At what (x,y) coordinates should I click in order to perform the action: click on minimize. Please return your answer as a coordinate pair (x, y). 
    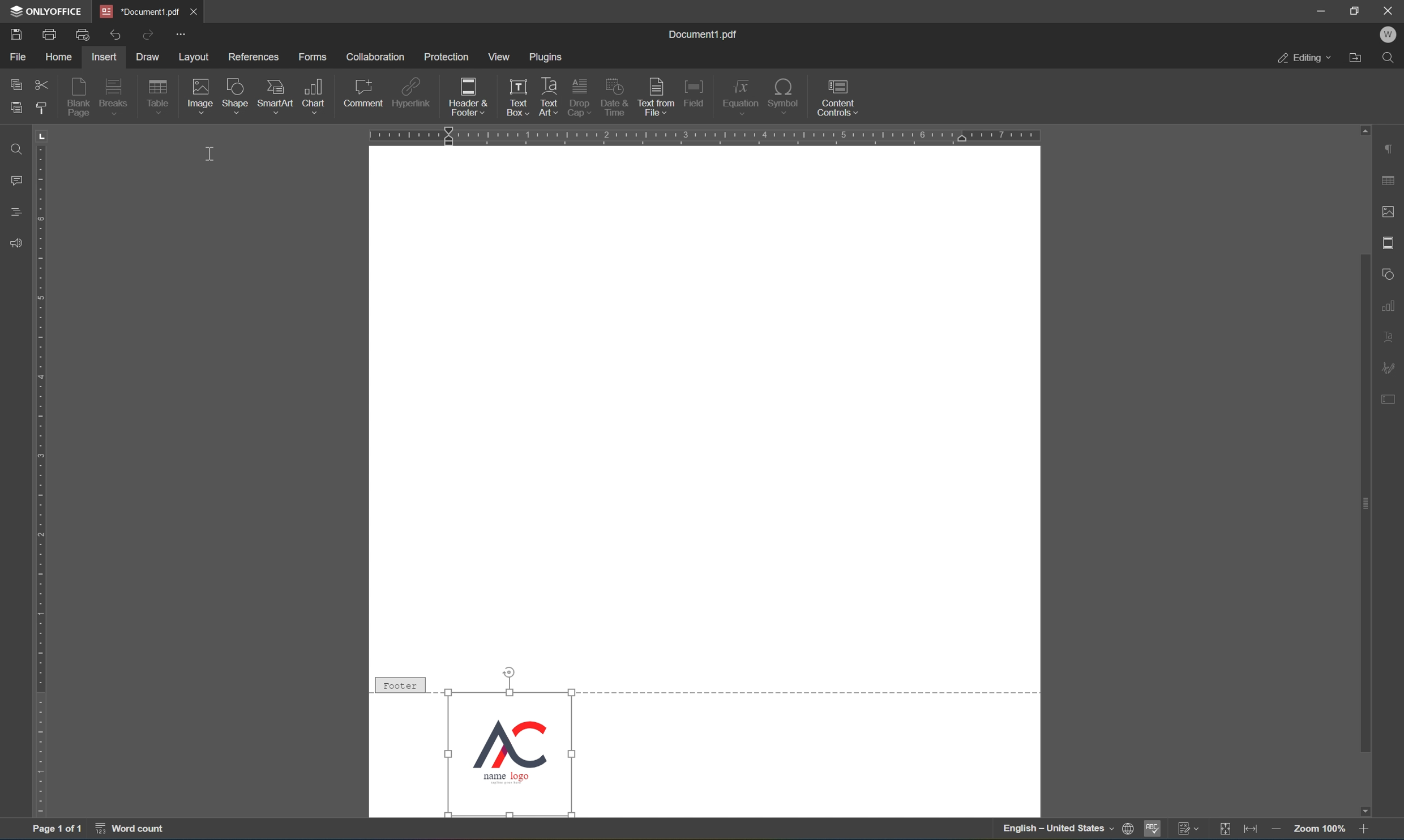
    Looking at the image, I should click on (1321, 10).